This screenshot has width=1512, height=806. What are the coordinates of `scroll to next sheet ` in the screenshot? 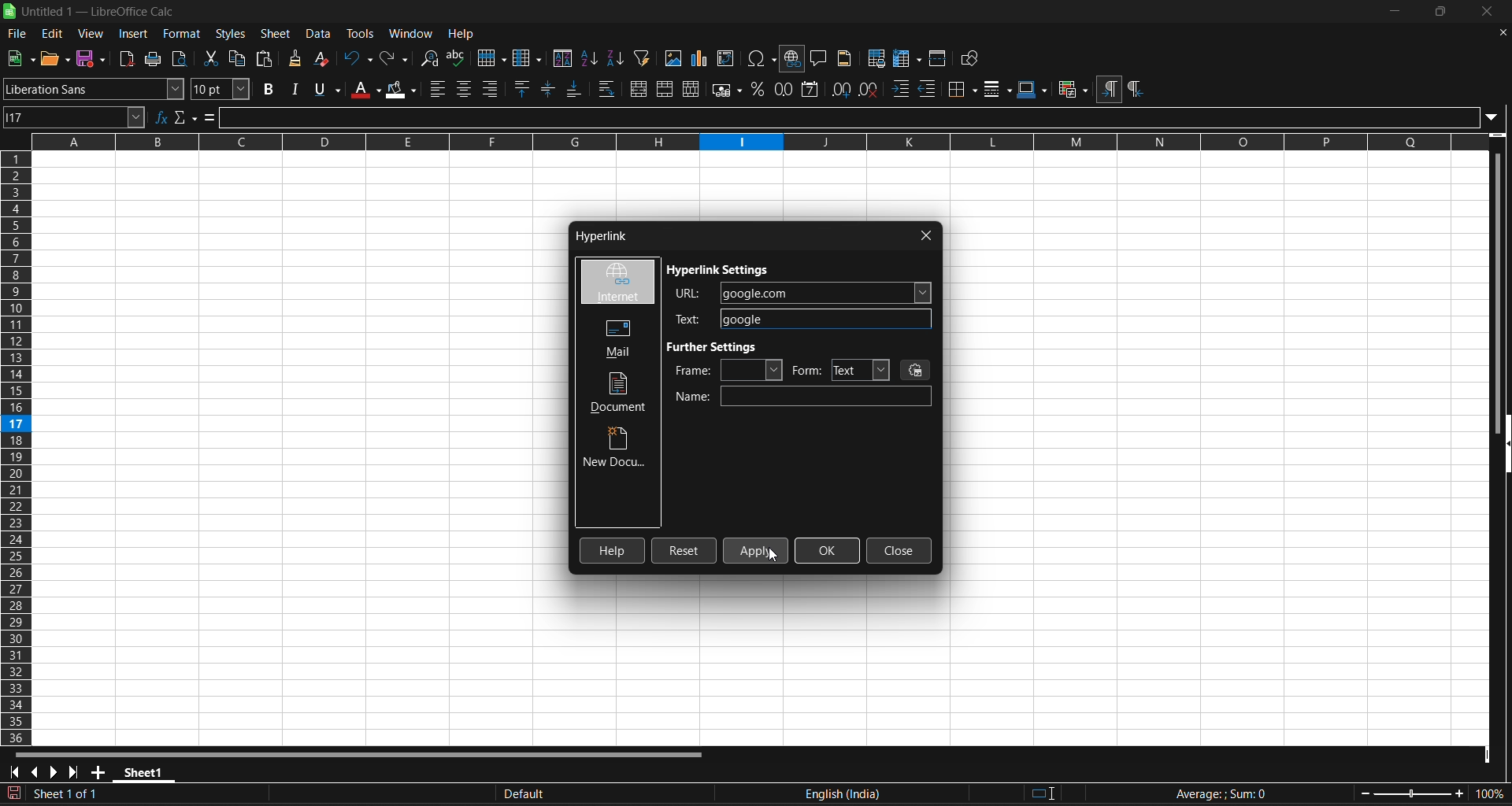 It's located at (53, 773).